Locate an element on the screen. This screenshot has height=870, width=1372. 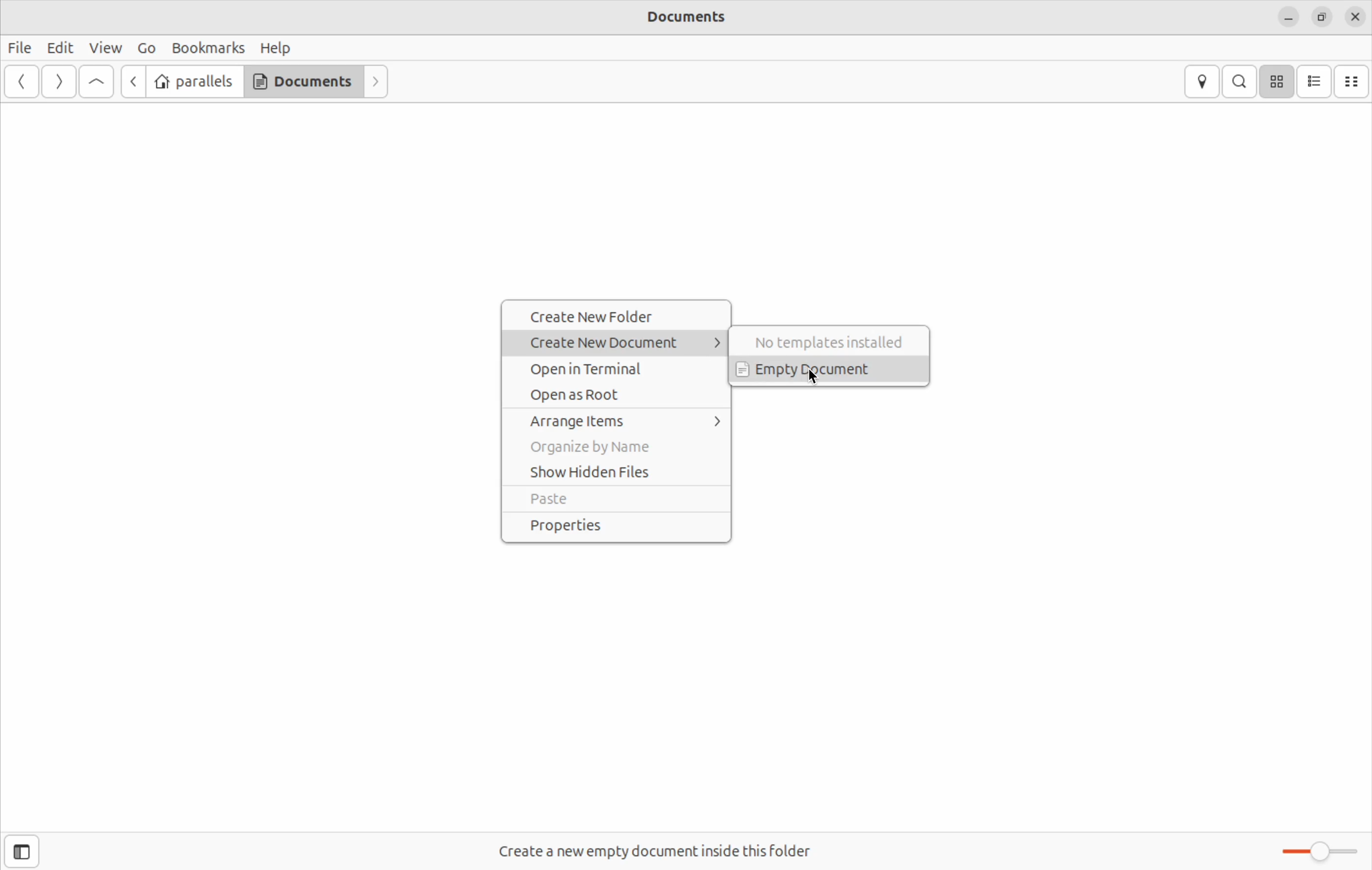
paste is located at coordinates (614, 500).